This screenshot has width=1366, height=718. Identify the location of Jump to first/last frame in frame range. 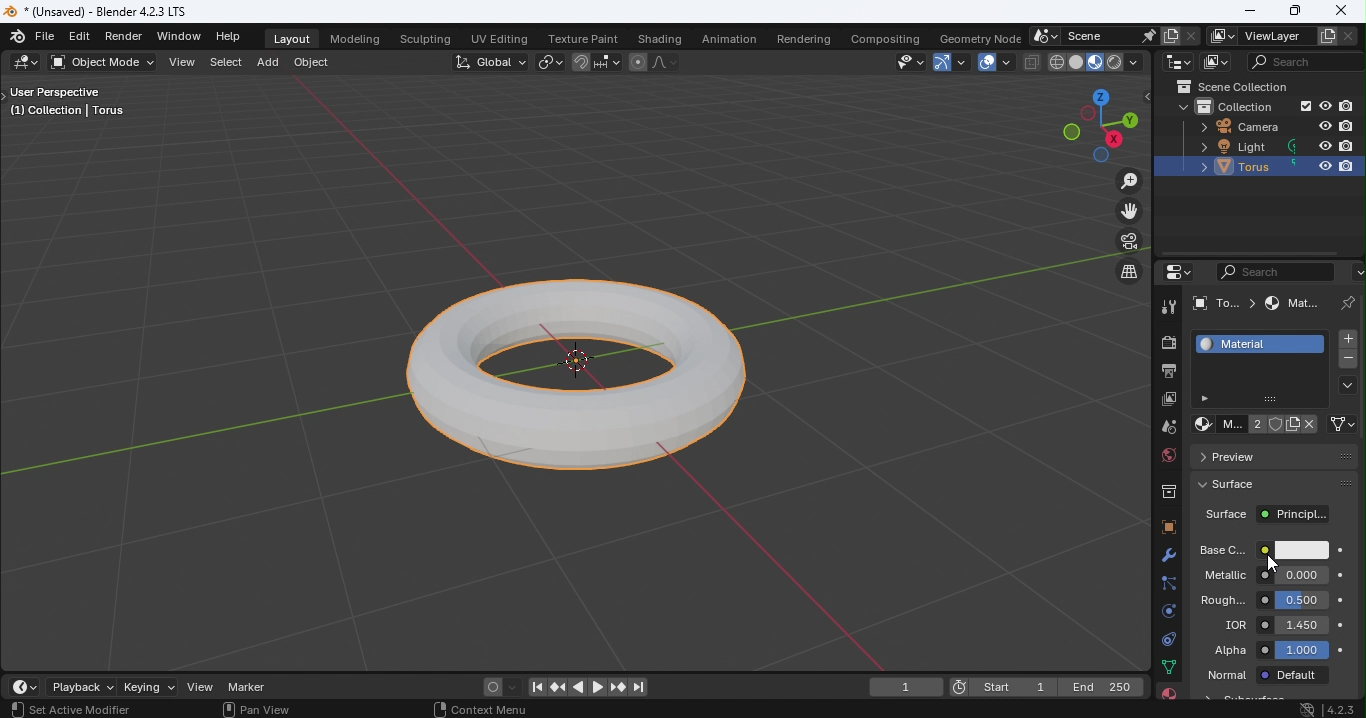
(641, 687).